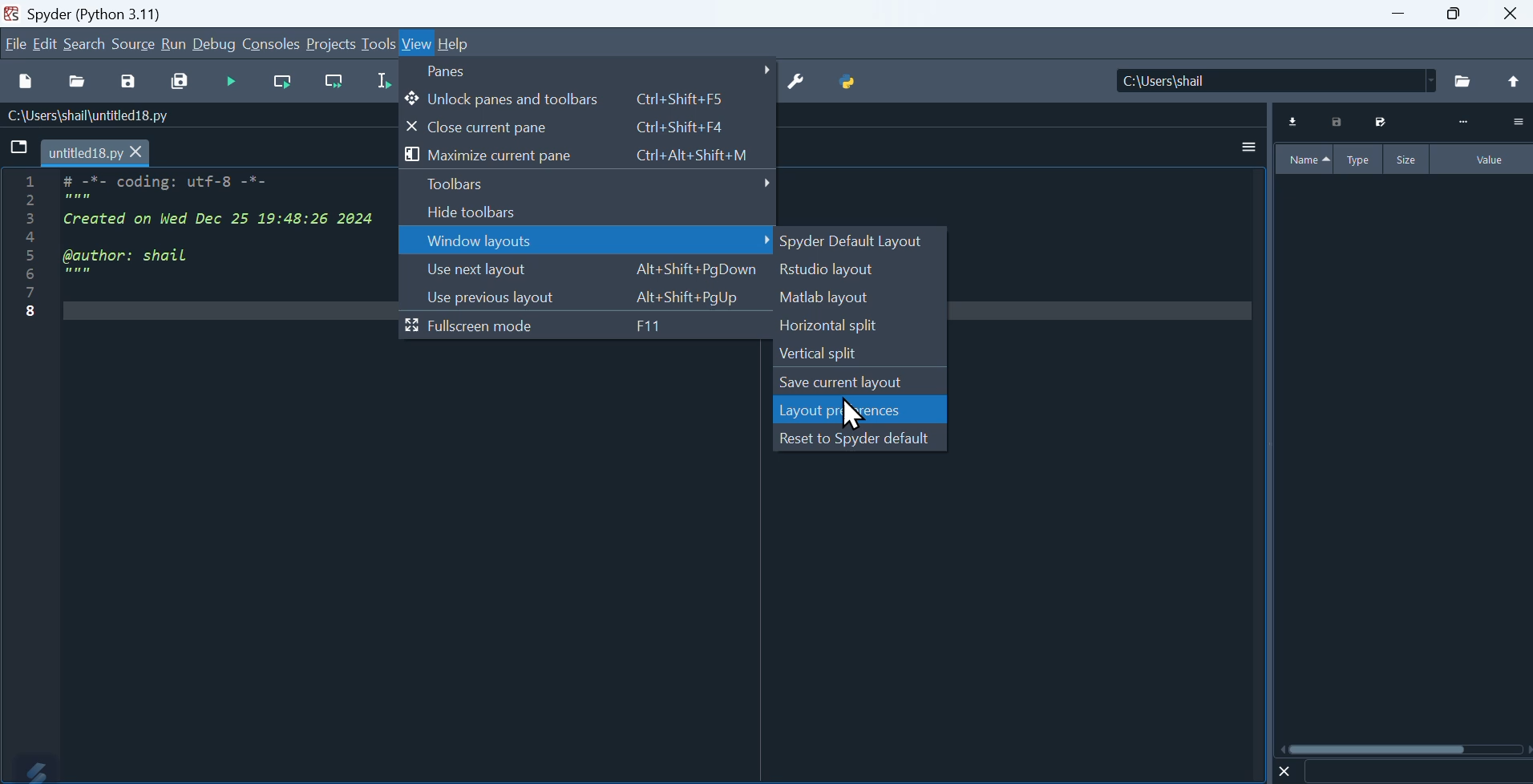  What do you see at coordinates (860, 436) in the screenshot?
I see `Reset to spider default` at bounding box center [860, 436].